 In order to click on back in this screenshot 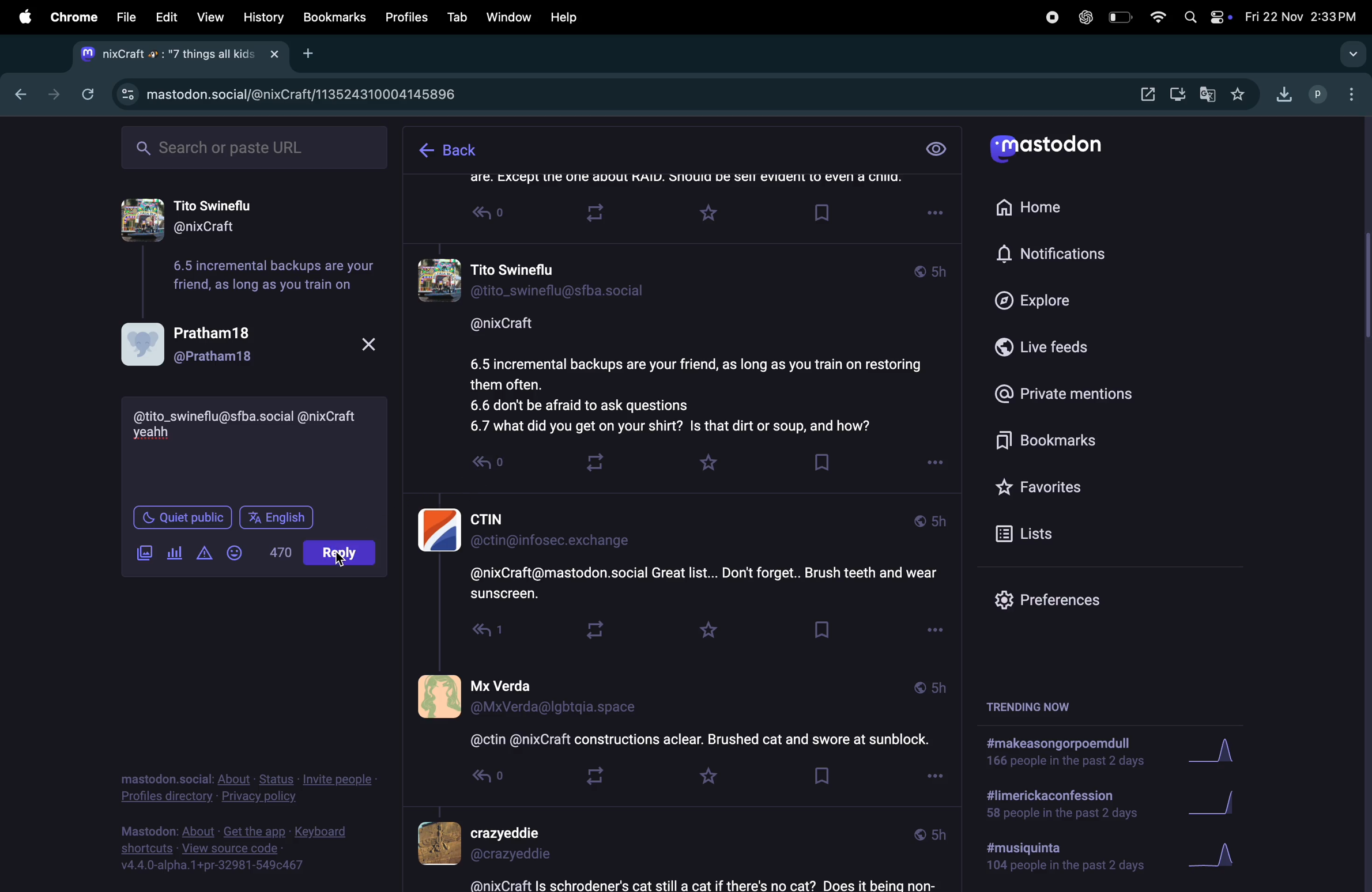, I will do `click(446, 152)`.